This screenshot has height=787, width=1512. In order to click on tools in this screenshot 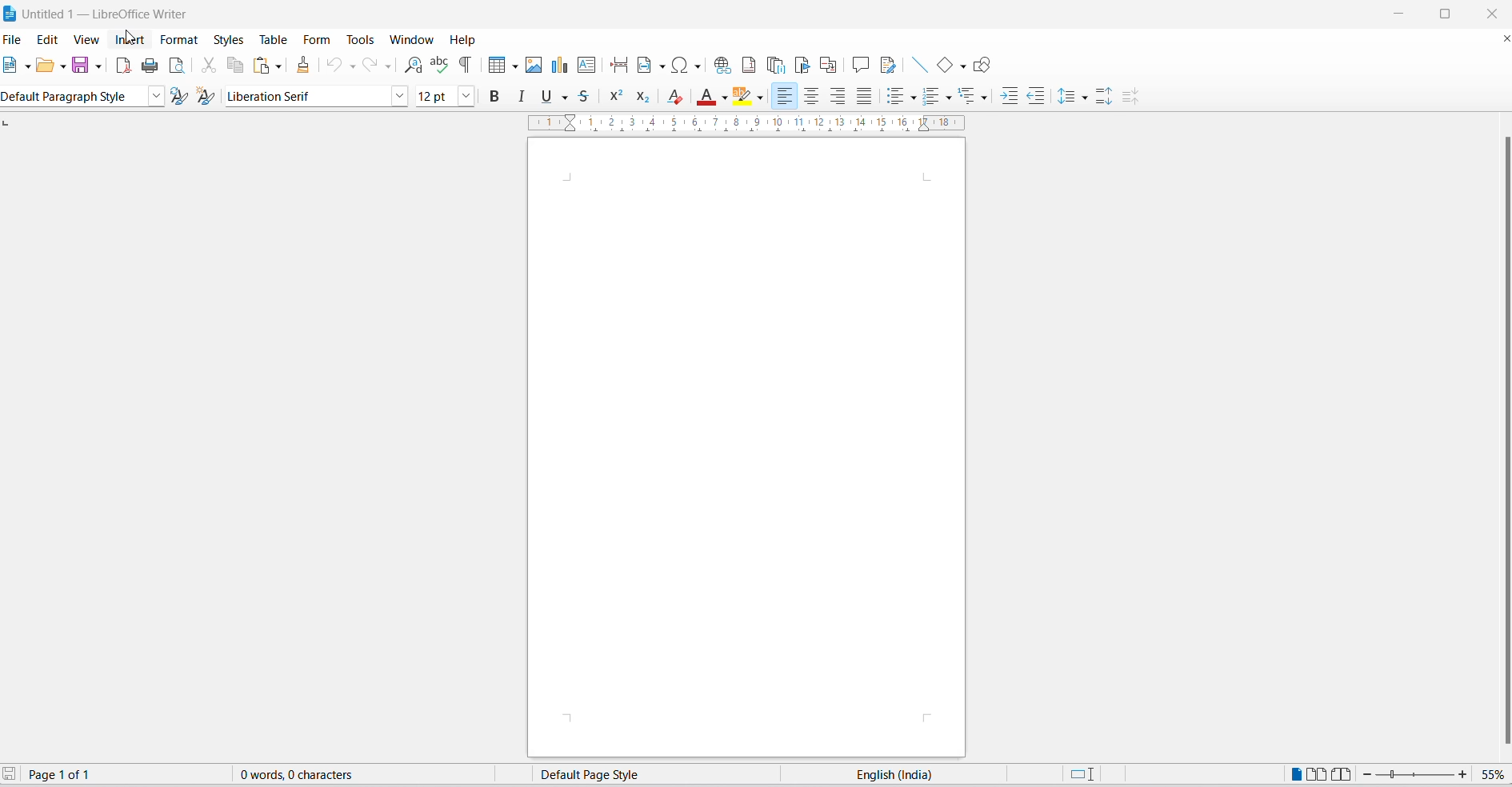, I will do `click(360, 39)`.